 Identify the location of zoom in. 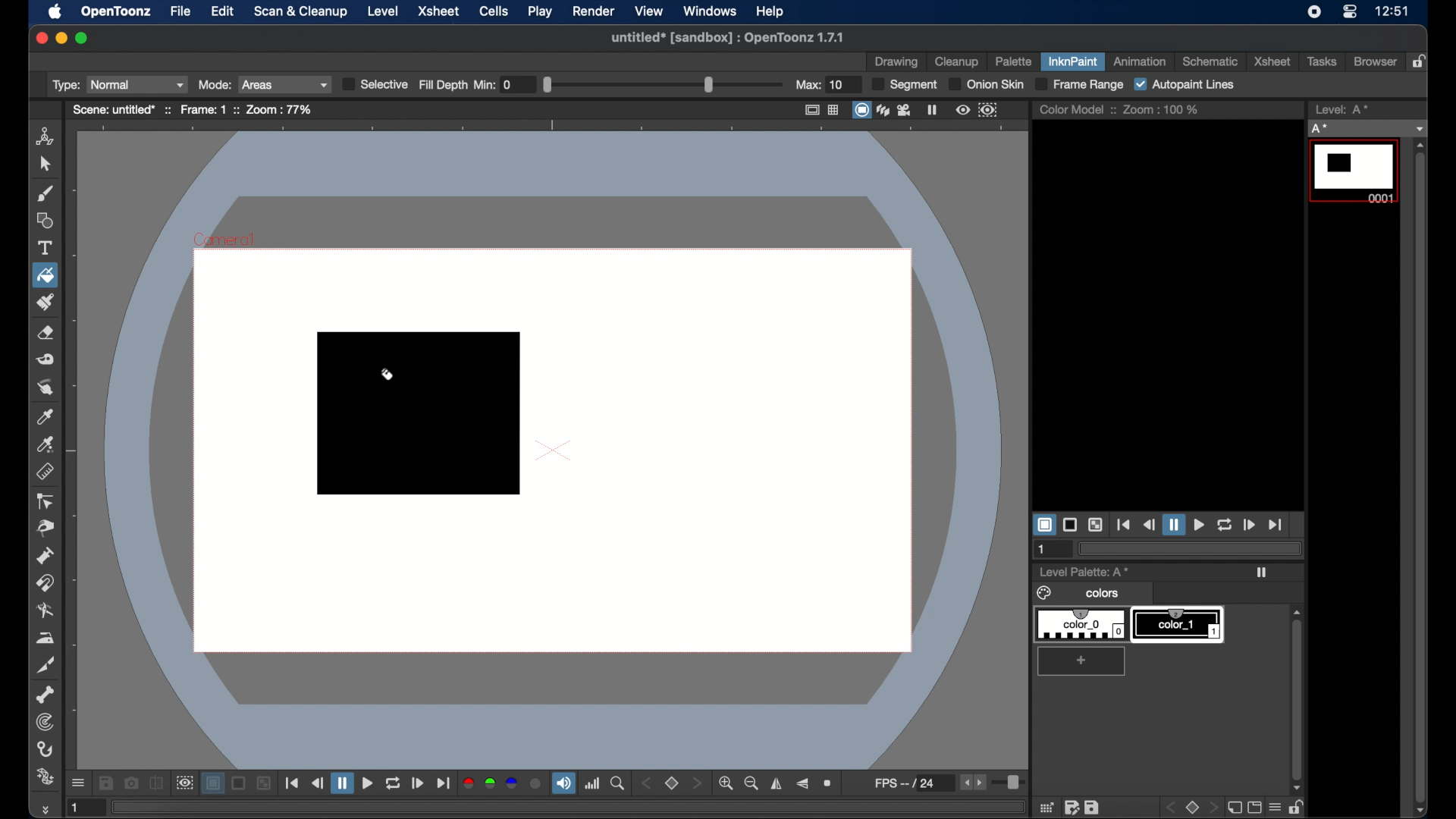
(725, 783).